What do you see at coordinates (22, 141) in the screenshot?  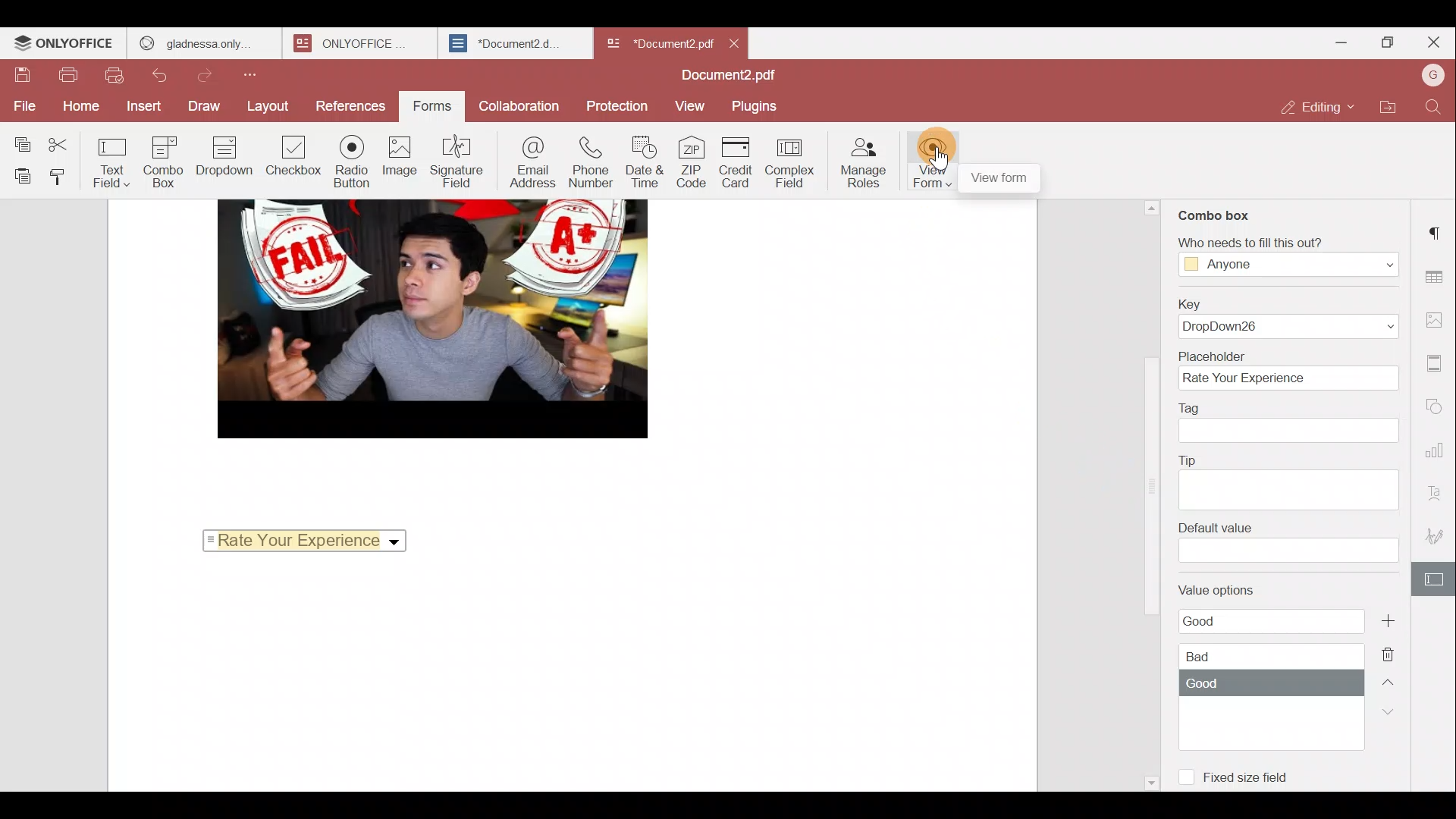 I see `Copy` at bounding box center [22, 141].